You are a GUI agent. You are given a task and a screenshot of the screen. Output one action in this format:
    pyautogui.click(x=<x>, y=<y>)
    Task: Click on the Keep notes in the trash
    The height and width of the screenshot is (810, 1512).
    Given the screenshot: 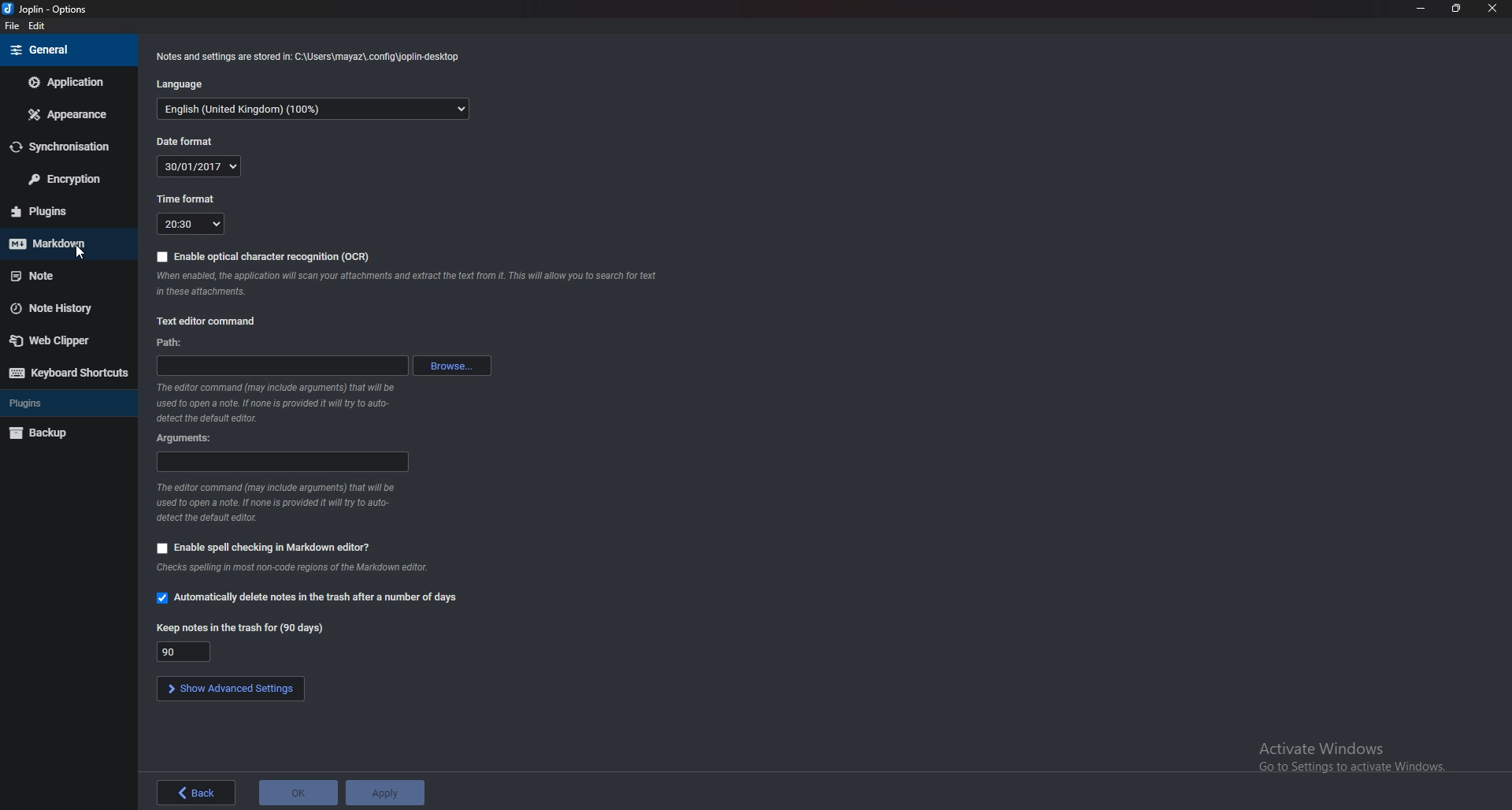 What is the action you would take?
    pyautogui.click(x=189, y=652)
    